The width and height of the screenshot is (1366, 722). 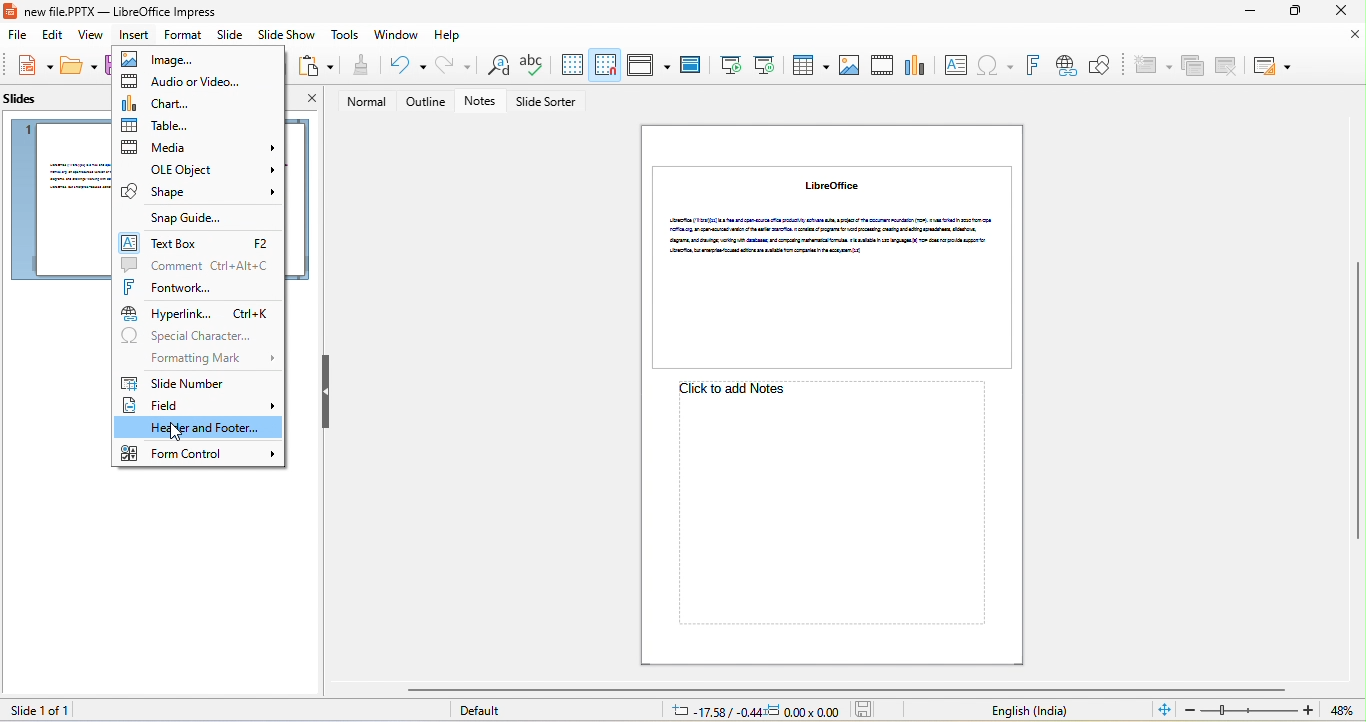 What do you see at coordinates (326, 391) in the screenshot?
I see `hide left sidebar` at bounding box center [326, 391].